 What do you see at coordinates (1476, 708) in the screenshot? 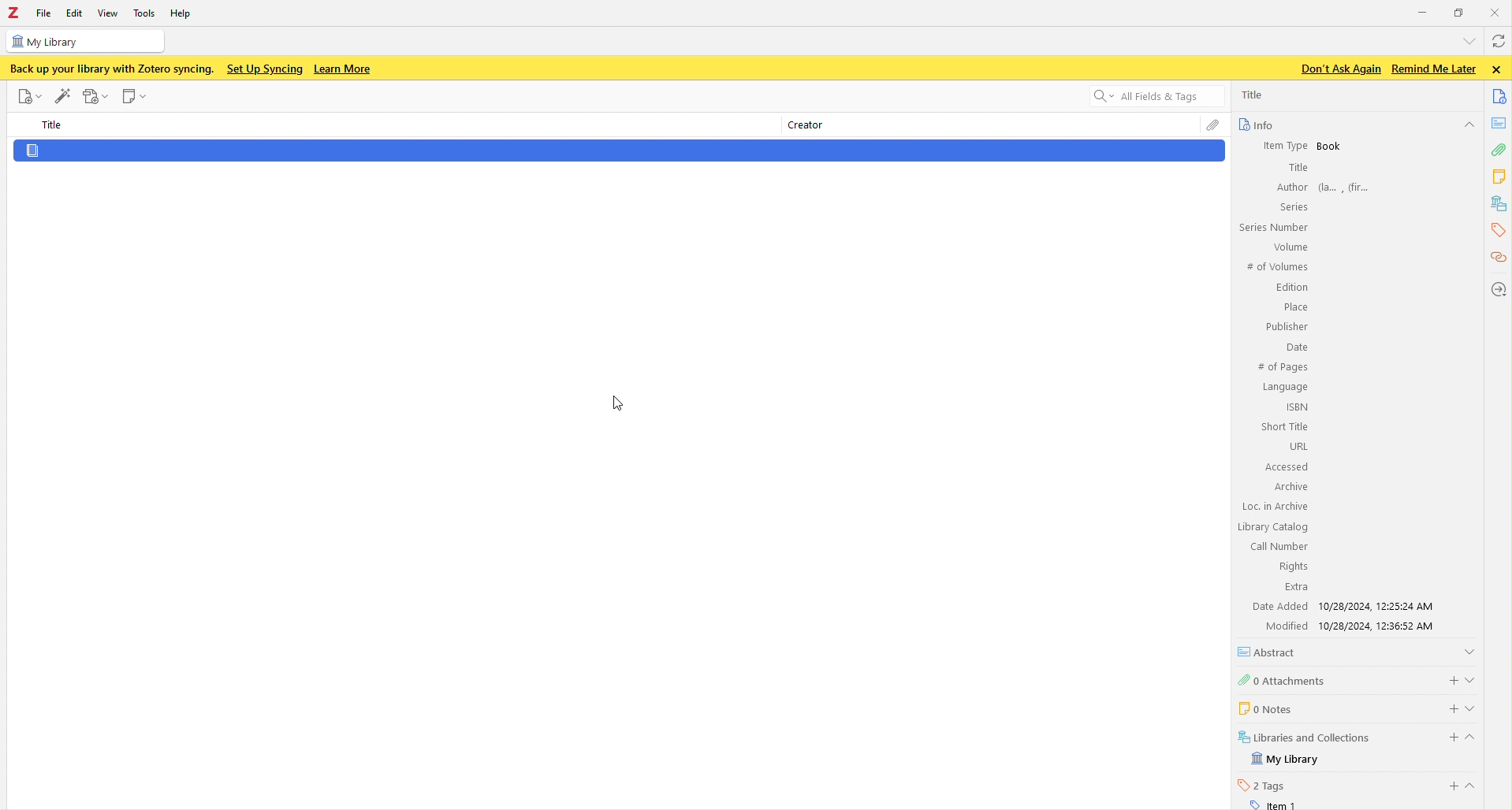
I see `show` at bounding box center [1476, 708].